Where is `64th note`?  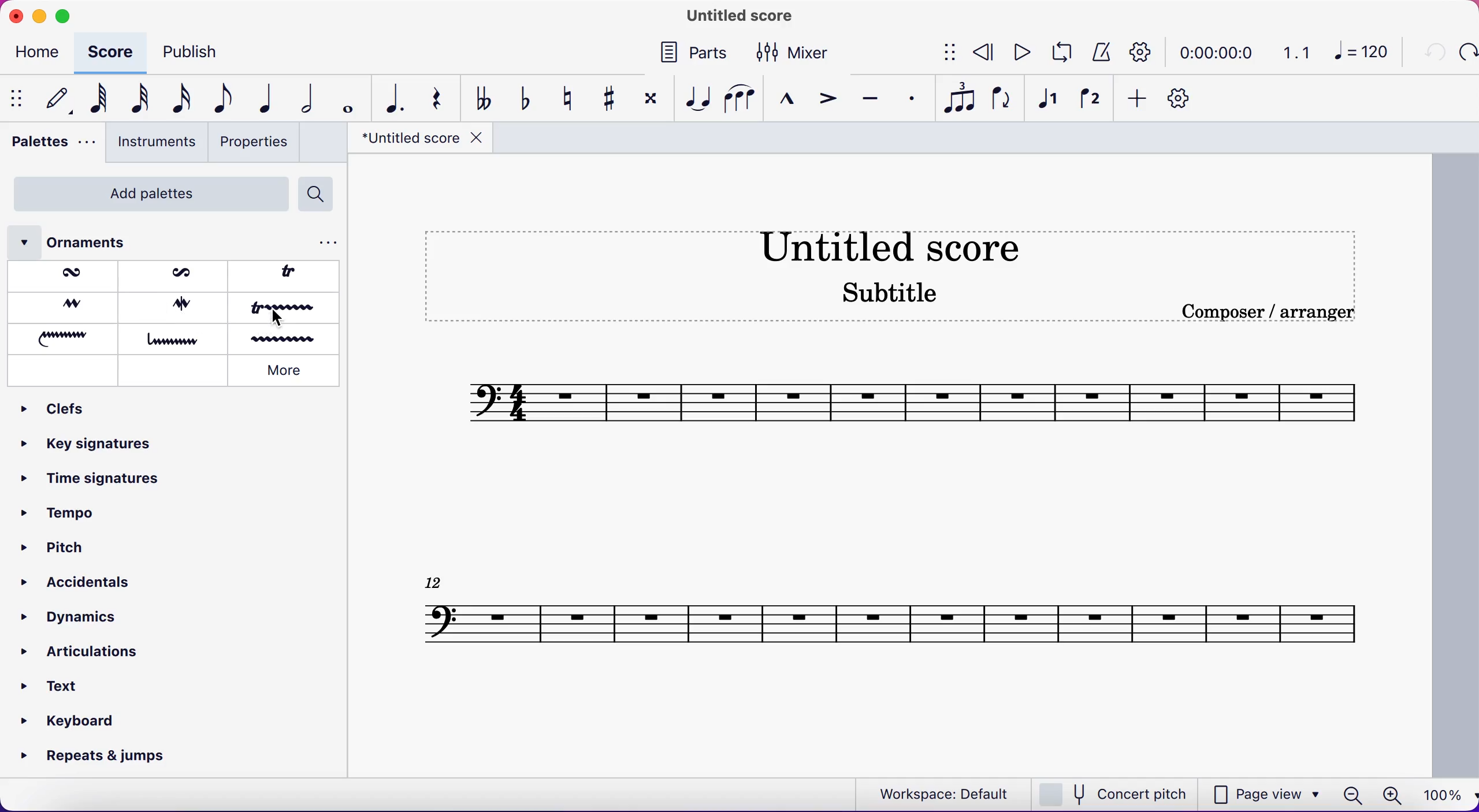
64th note is located at coordinates (94, 100).